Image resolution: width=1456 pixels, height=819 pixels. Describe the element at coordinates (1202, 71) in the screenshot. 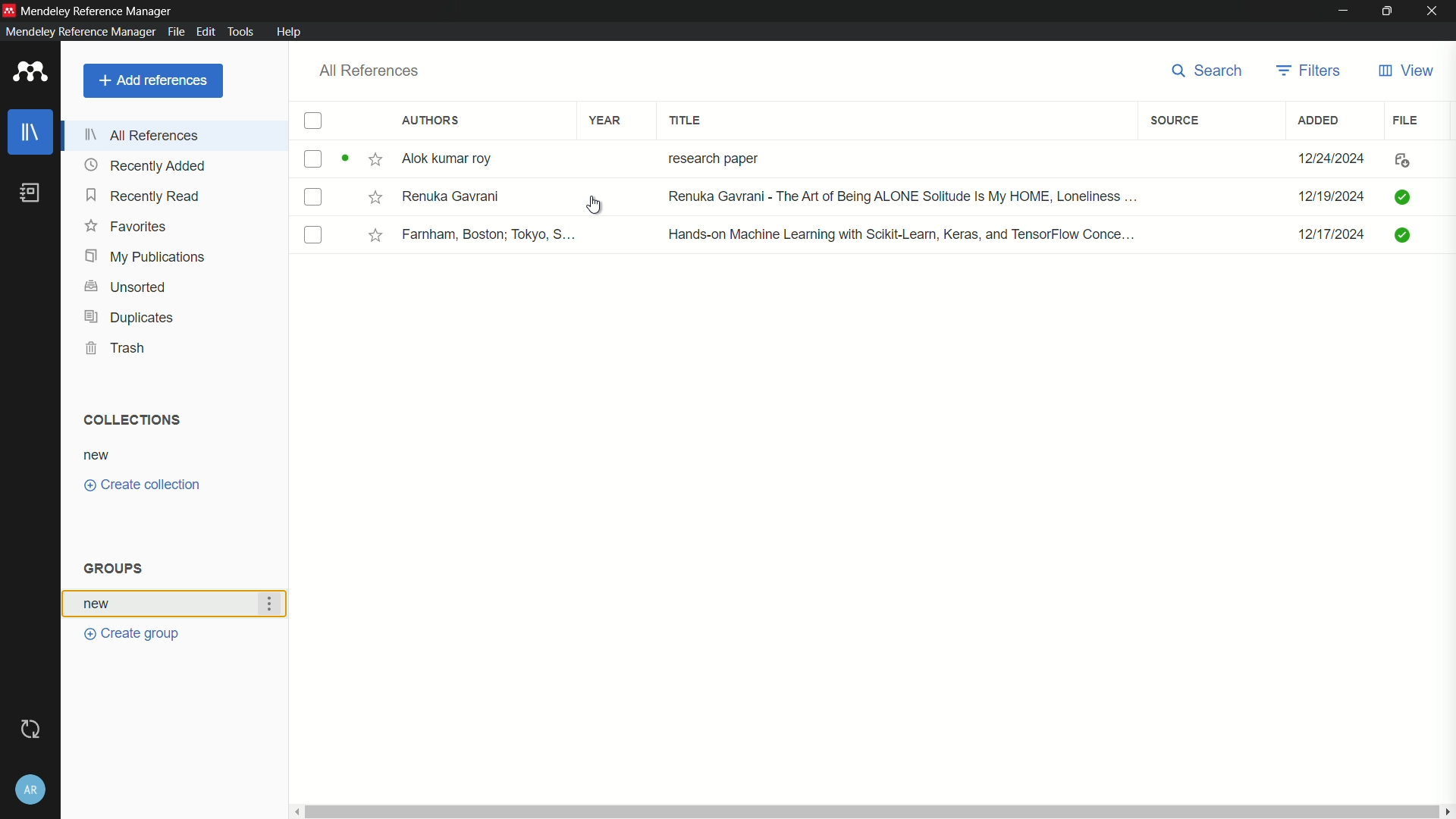

I see `search` at that location.